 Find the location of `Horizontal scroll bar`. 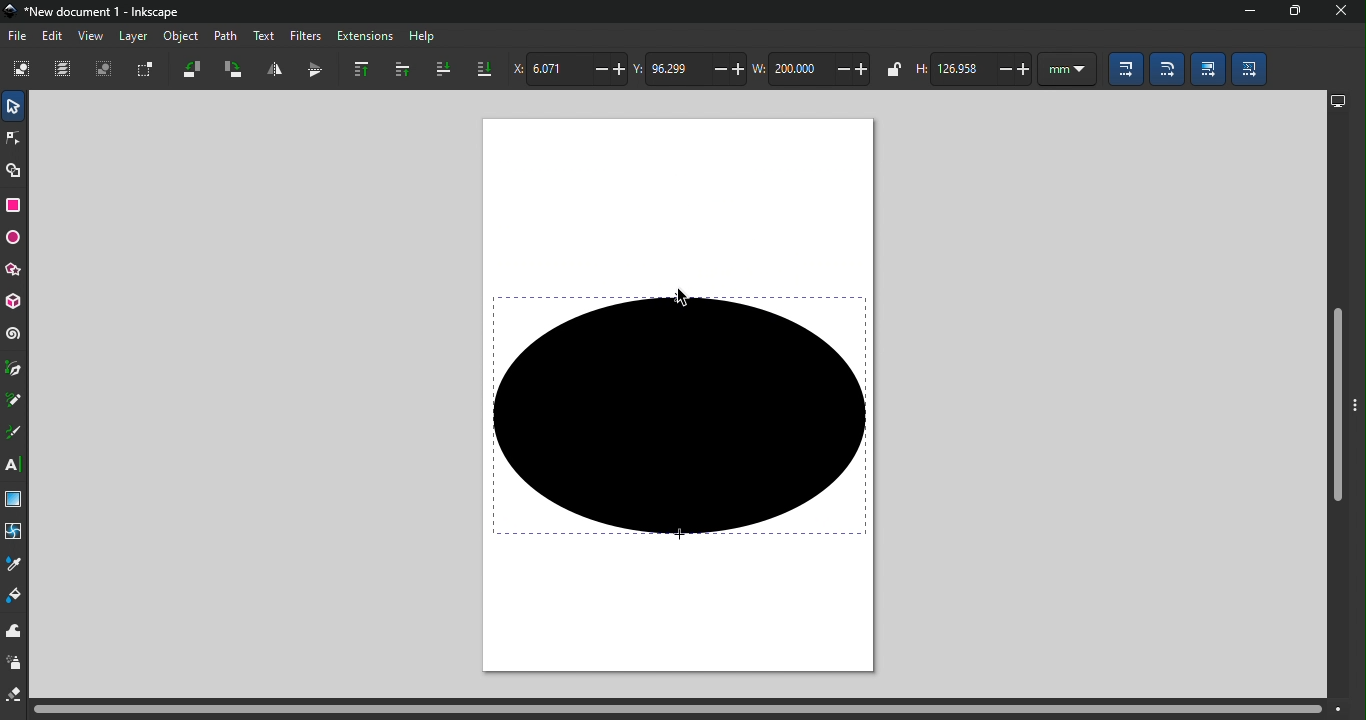

Horizontal scroll bar is located at coordinates (689, 710).